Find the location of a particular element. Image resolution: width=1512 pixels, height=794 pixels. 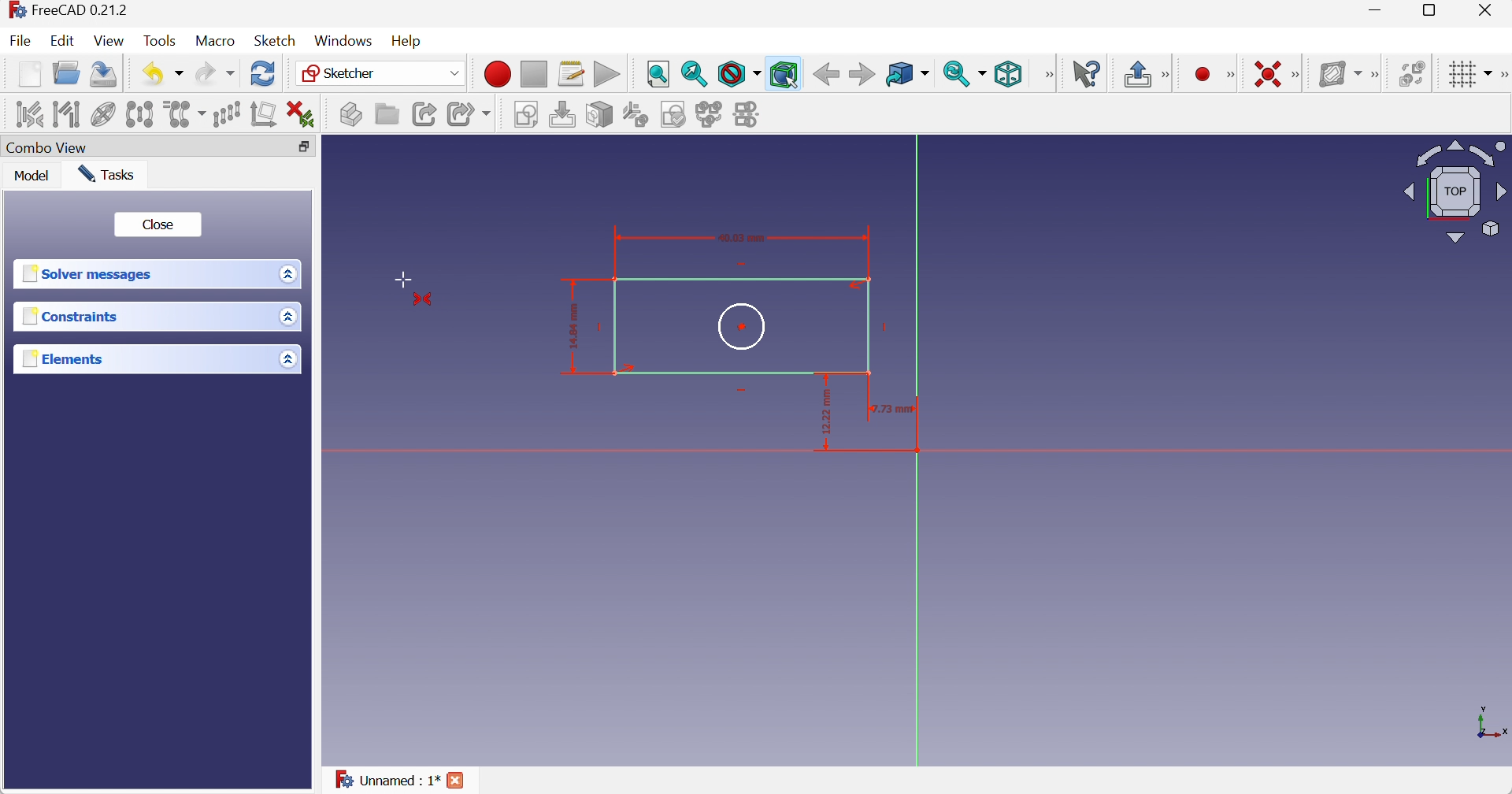

Go to linked object is located at coordinates (907, 75).